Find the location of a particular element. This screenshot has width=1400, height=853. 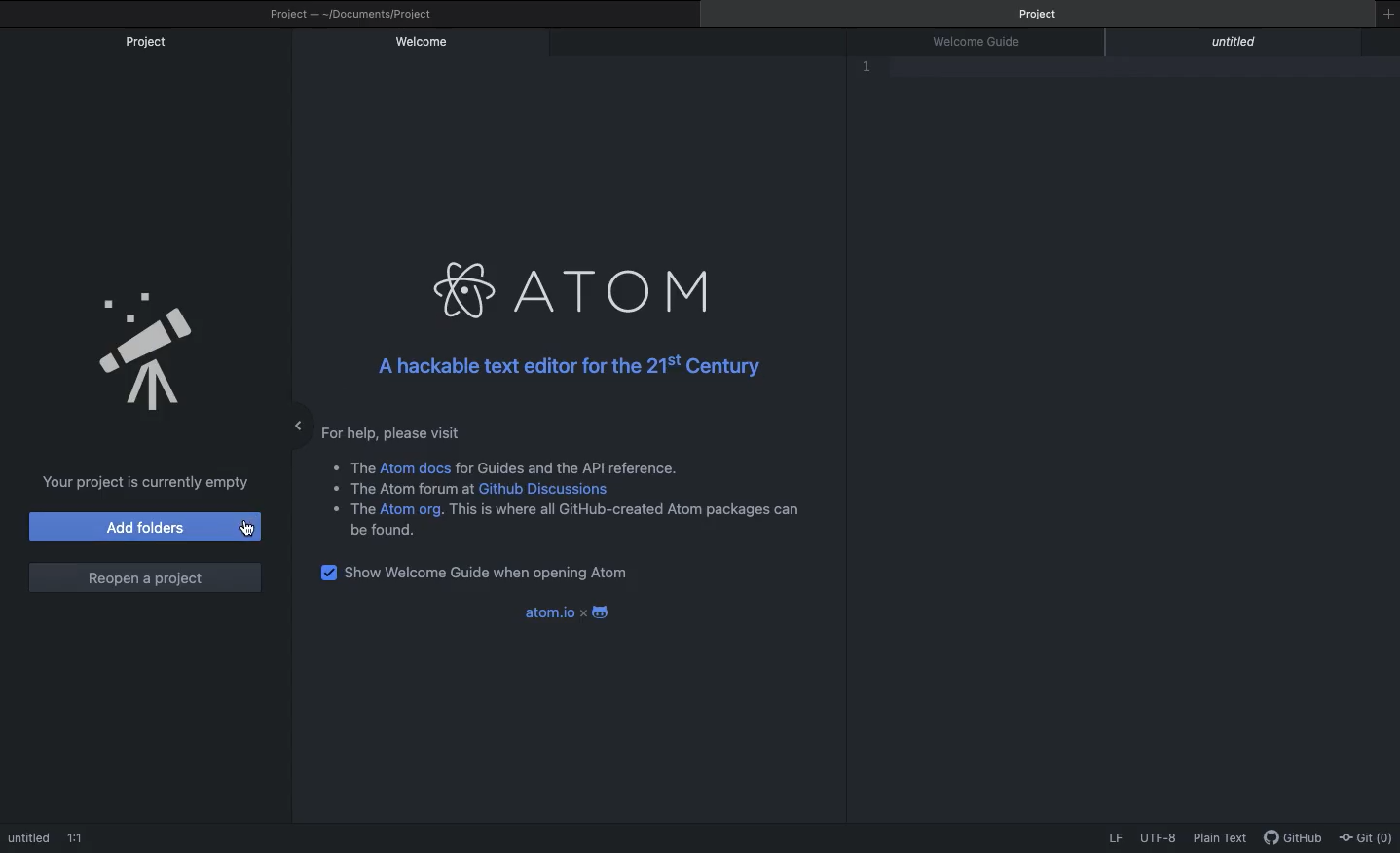

Instructional text is located at coordinates (586, 501).